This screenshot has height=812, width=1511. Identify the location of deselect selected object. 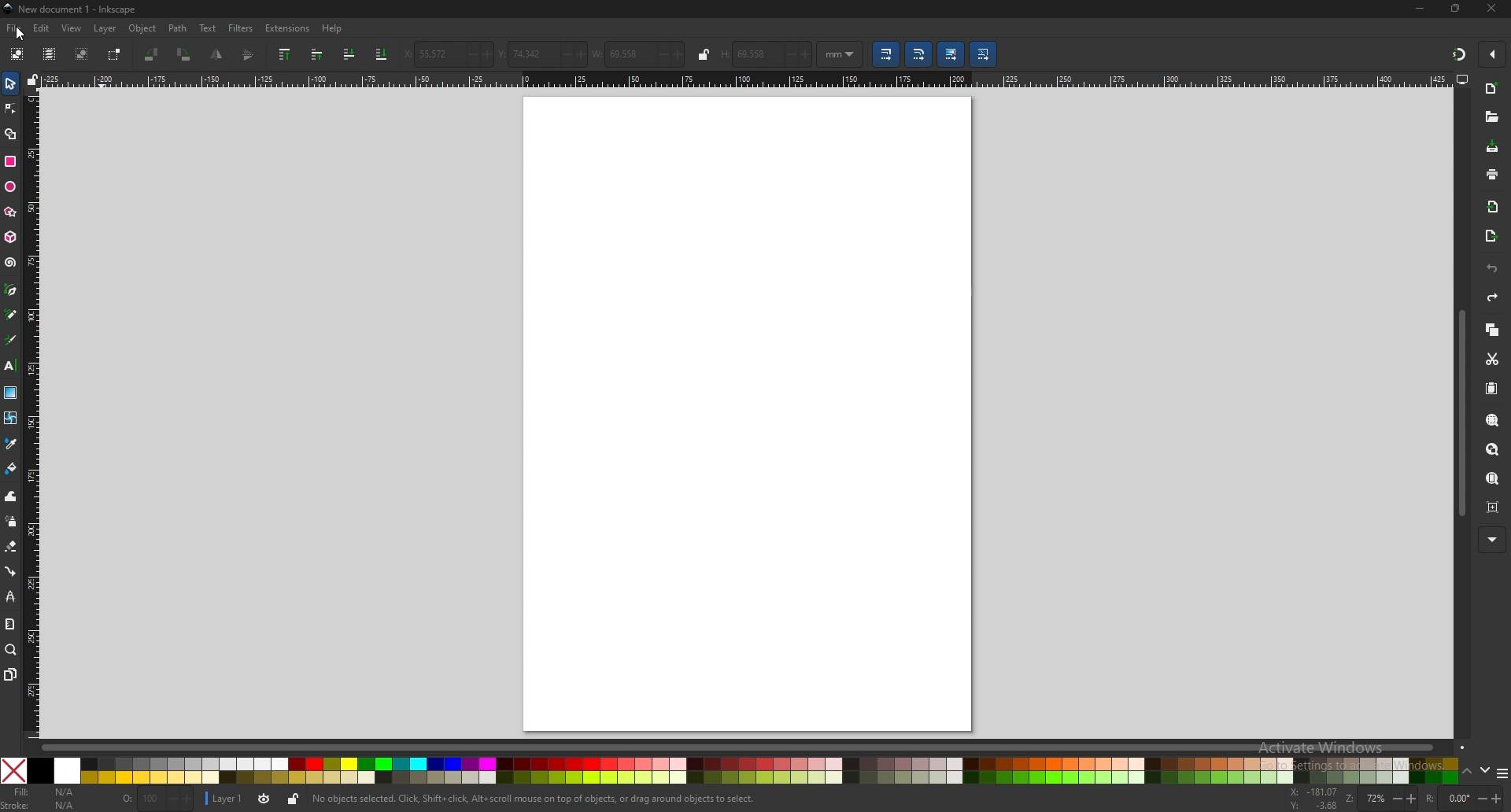
(82, 54).